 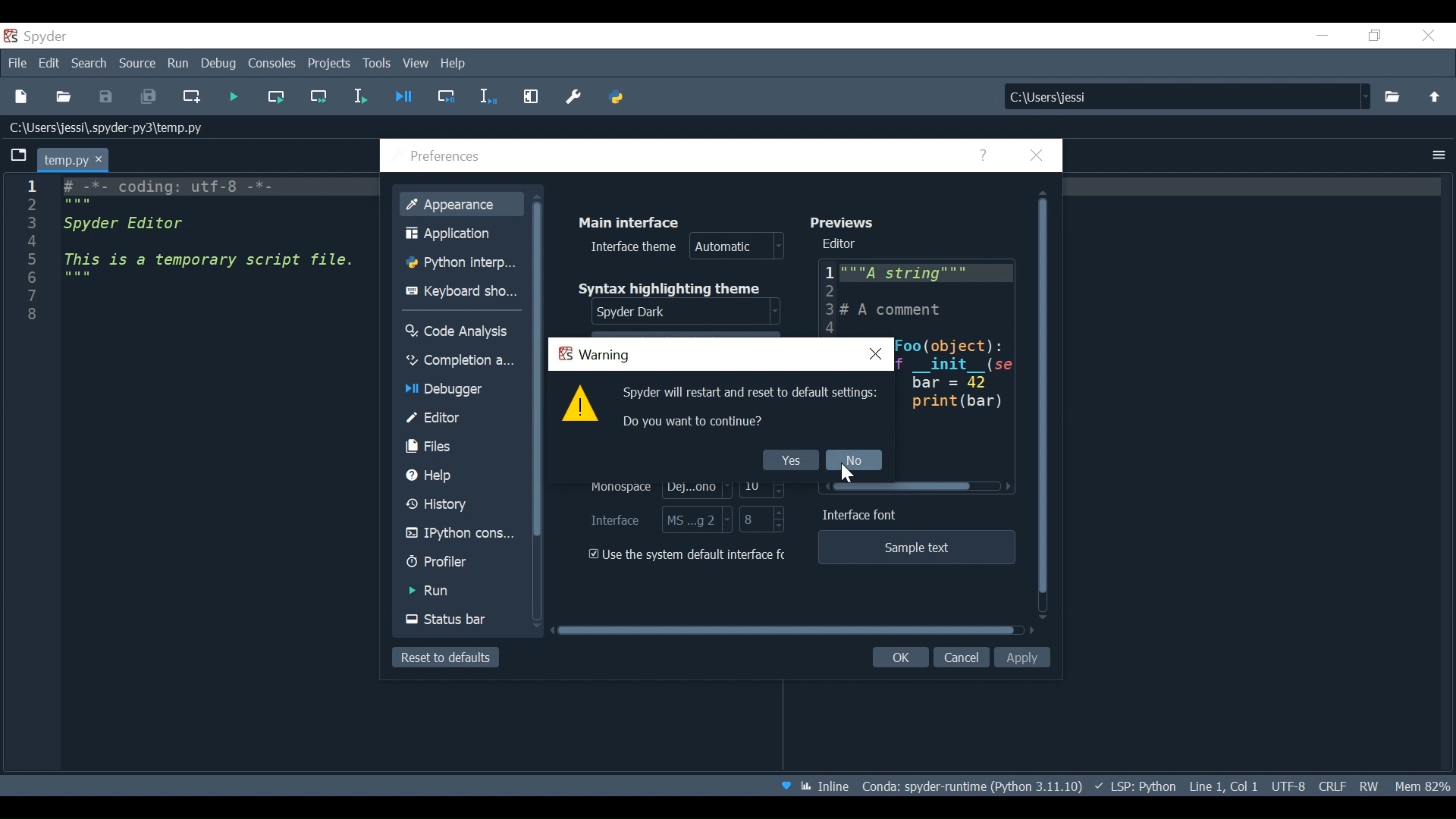 What do you see at coordinates (328, 64) in the screenshot?
I see `Projects` at bounding box center [328, 64].